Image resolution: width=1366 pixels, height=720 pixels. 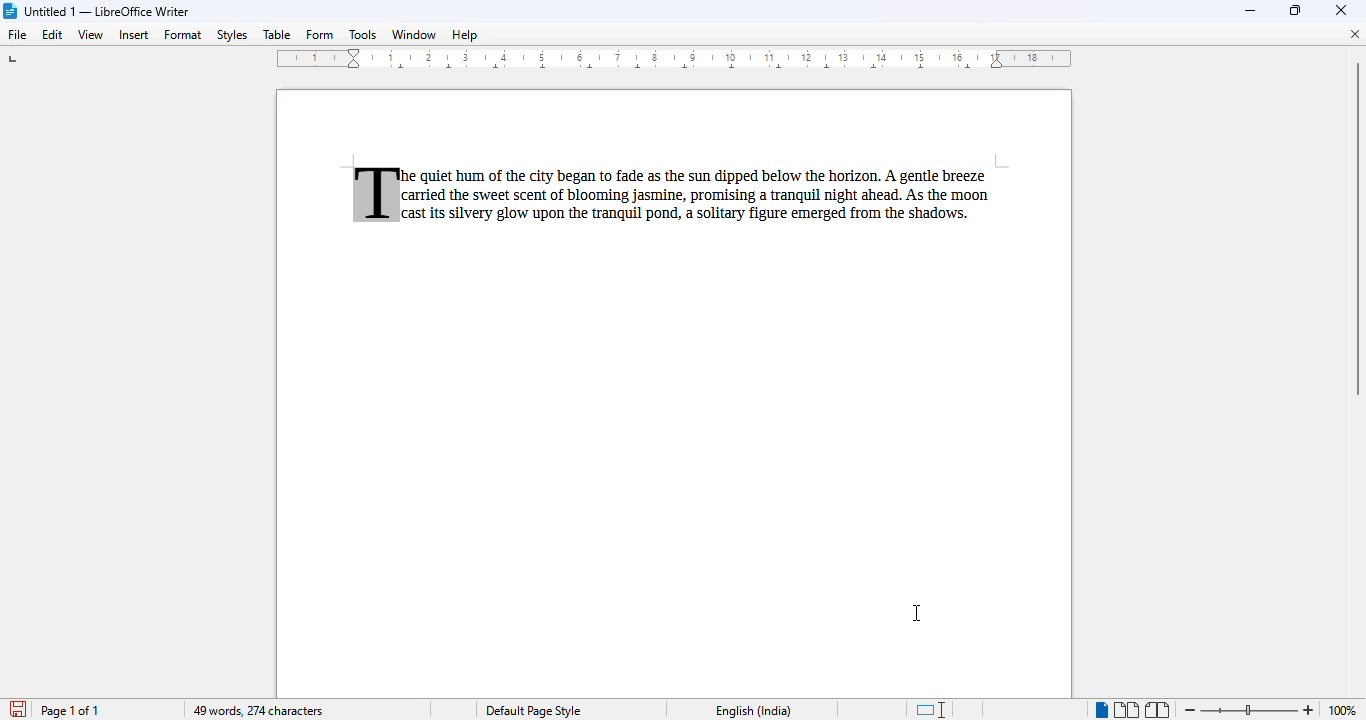 What do you see at coordinates (1353, 228) in the screenshot?
I see `vertical scroll bar` at bounding box center [1353, 228].